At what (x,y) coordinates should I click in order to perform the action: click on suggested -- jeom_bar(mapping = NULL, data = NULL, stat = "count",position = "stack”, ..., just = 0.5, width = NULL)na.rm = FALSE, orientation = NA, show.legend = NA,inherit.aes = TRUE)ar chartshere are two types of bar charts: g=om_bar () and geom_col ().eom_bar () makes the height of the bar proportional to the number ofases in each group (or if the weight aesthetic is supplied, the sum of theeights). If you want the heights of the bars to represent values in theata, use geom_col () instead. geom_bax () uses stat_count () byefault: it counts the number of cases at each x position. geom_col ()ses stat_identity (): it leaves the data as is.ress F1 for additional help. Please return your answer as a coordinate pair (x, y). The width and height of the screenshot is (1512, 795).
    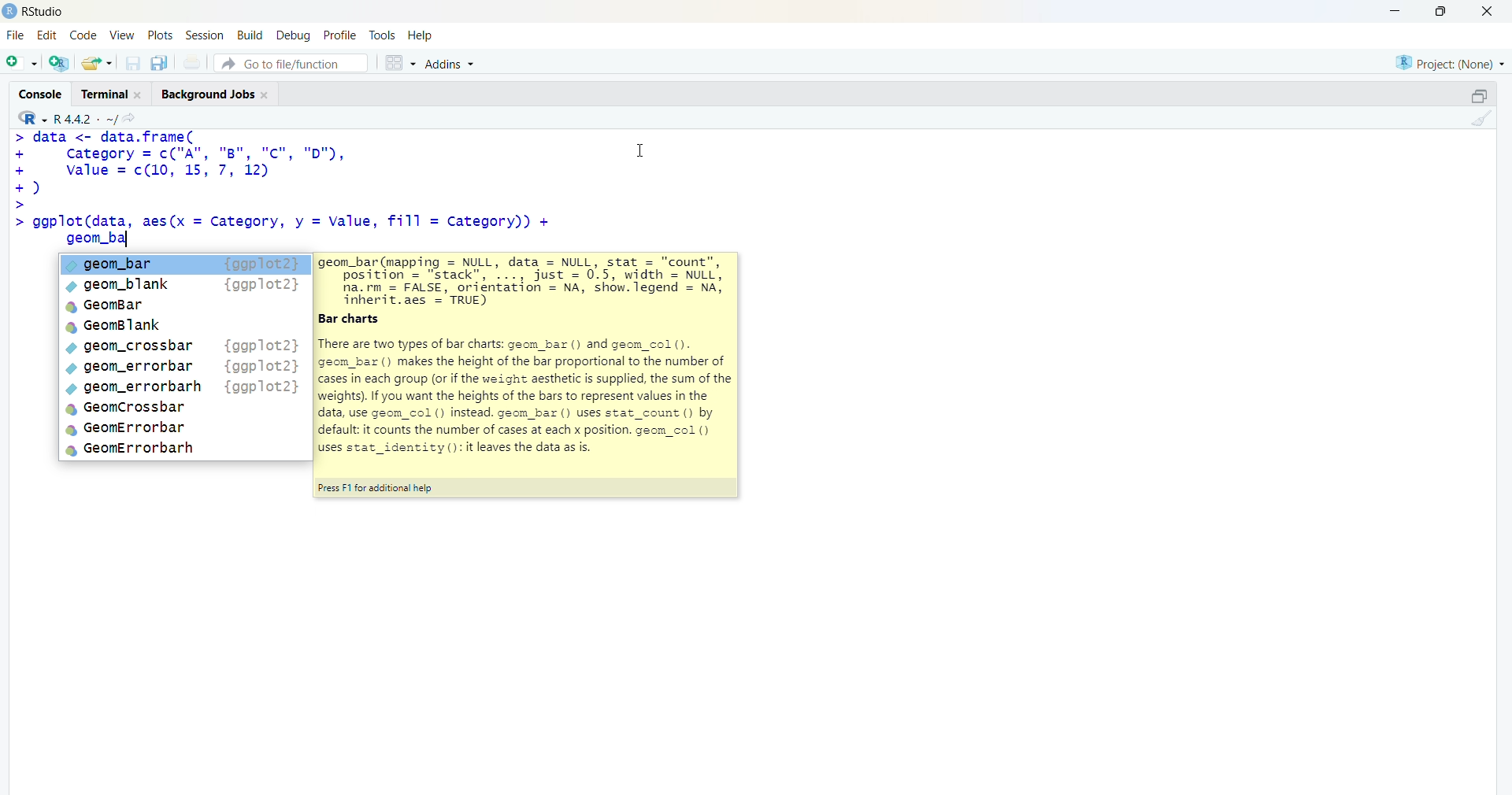
    Looking at the image, I should click on (525, 375).